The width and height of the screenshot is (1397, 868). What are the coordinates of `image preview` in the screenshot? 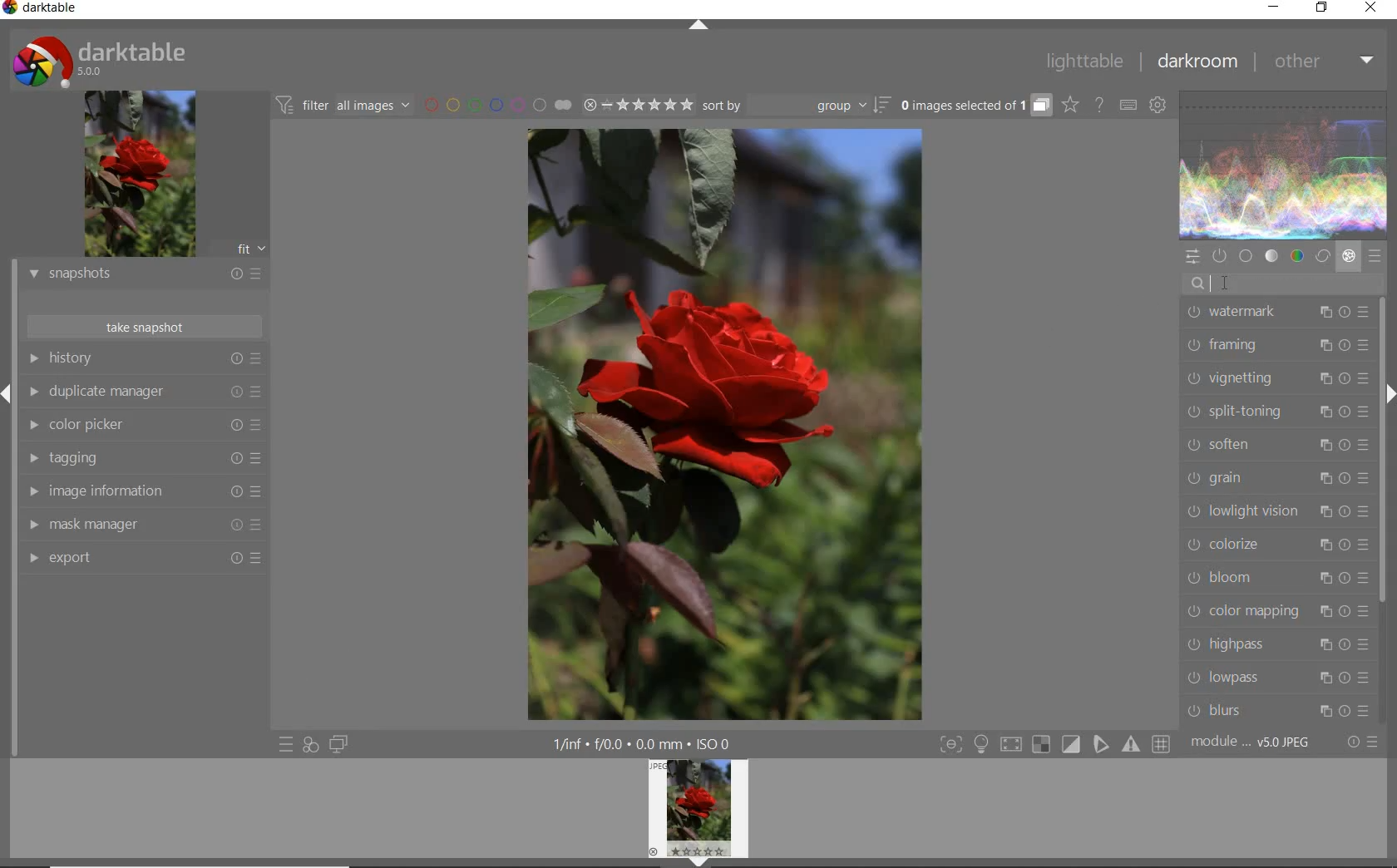 It's located at (139, 175).